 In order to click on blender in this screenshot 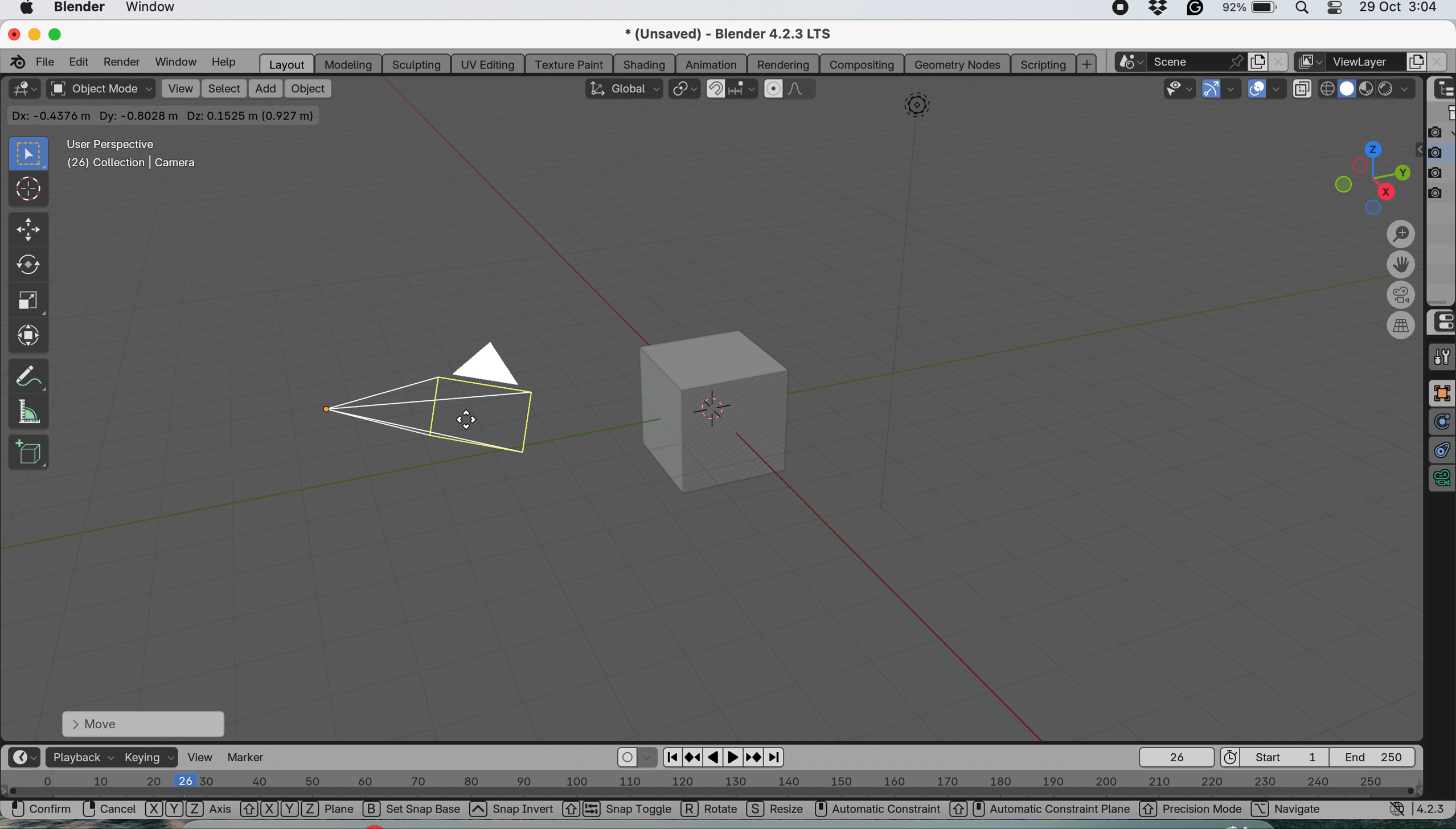, I will do `click(80, 9)`.